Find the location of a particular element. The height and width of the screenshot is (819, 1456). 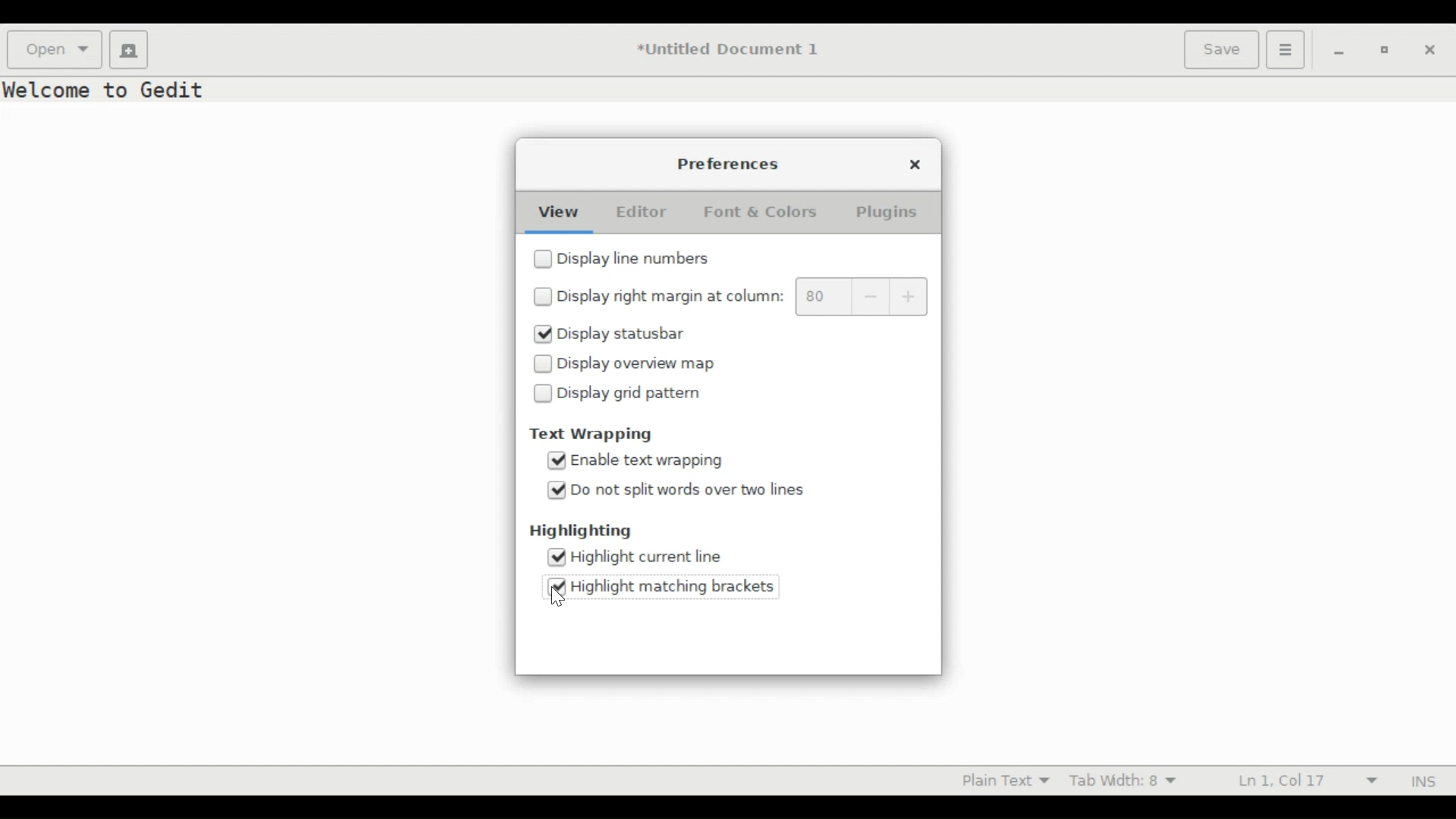

INS is located at coordinates (1419, 781).